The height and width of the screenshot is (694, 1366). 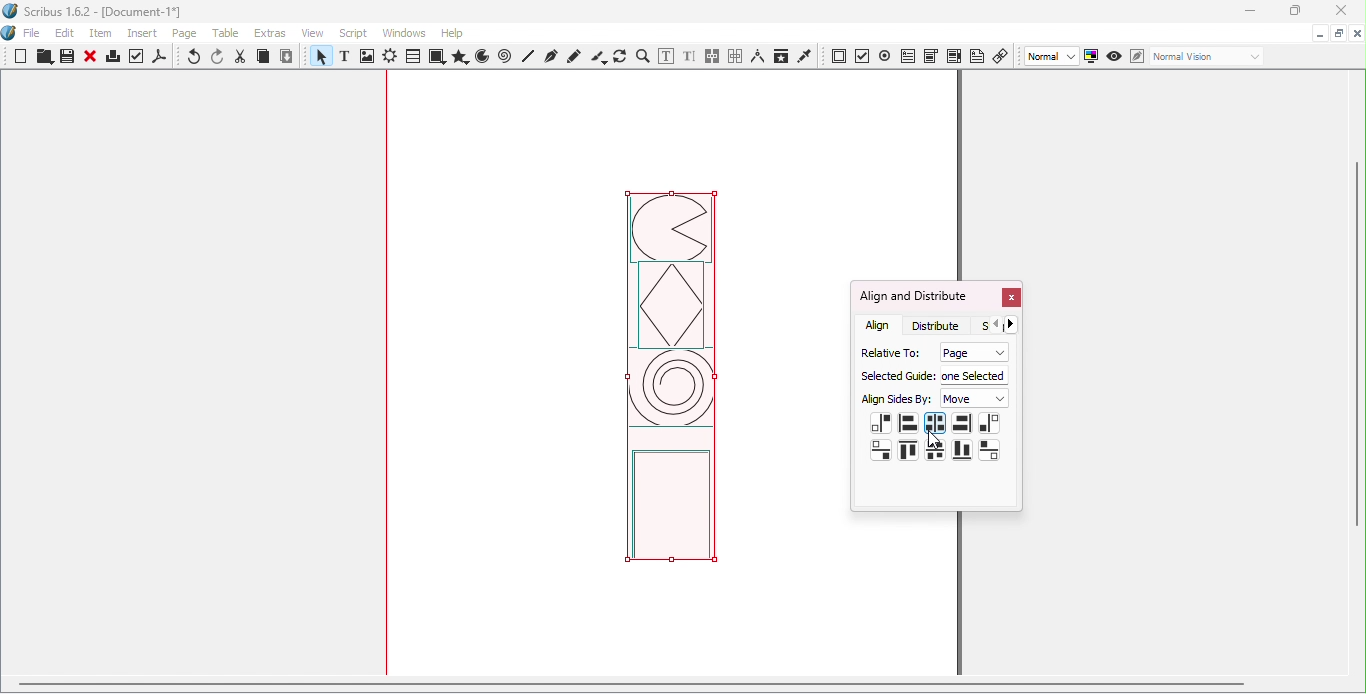 What do you see at coordinates (954, 56) in the screenshot?
I see `PDF list box` at bounding box center [954, 56].